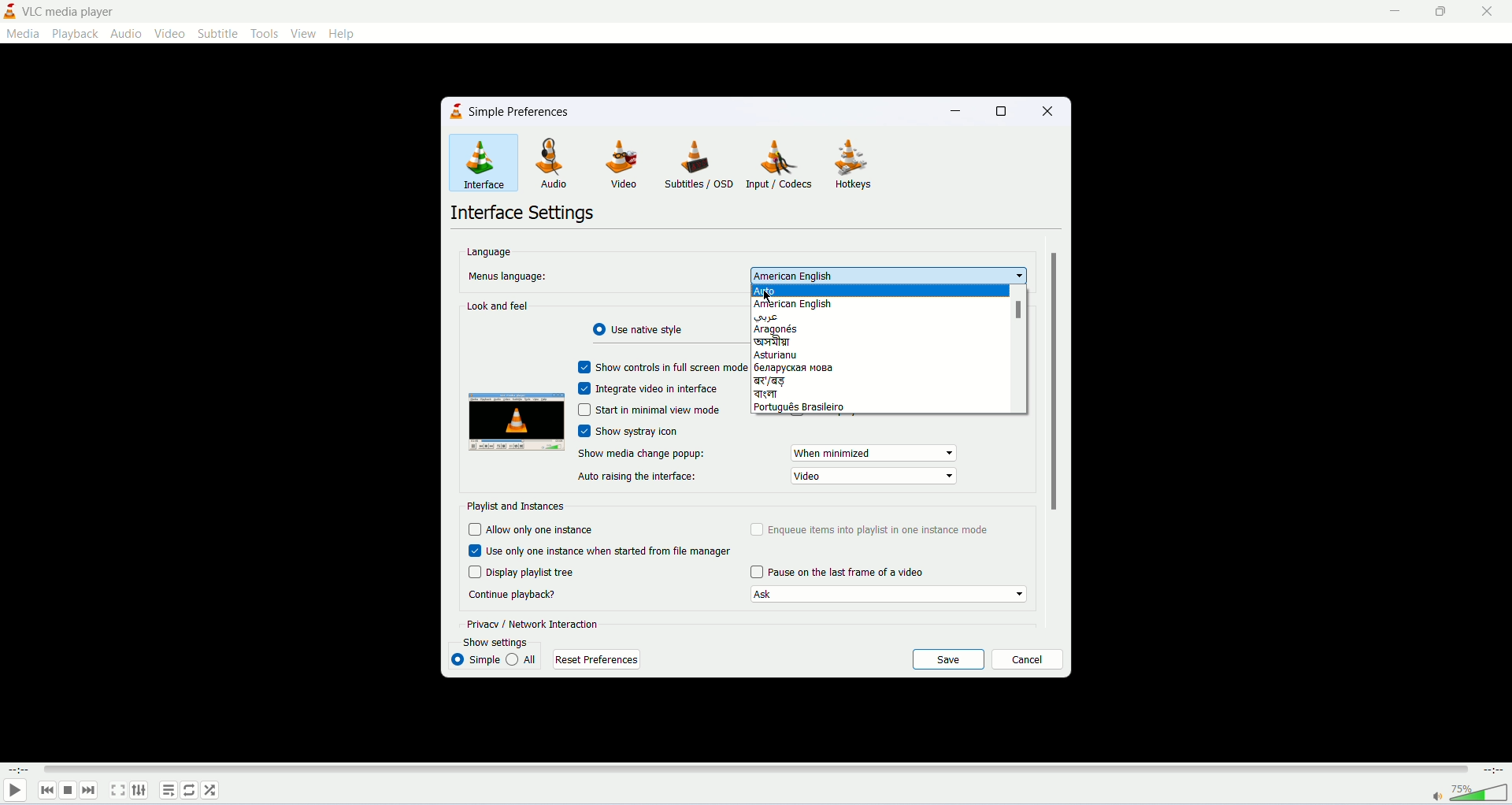 Image resolution: width=1512 pixels, height=805 pixels. I want to click on minimize, so click(1388, 15).